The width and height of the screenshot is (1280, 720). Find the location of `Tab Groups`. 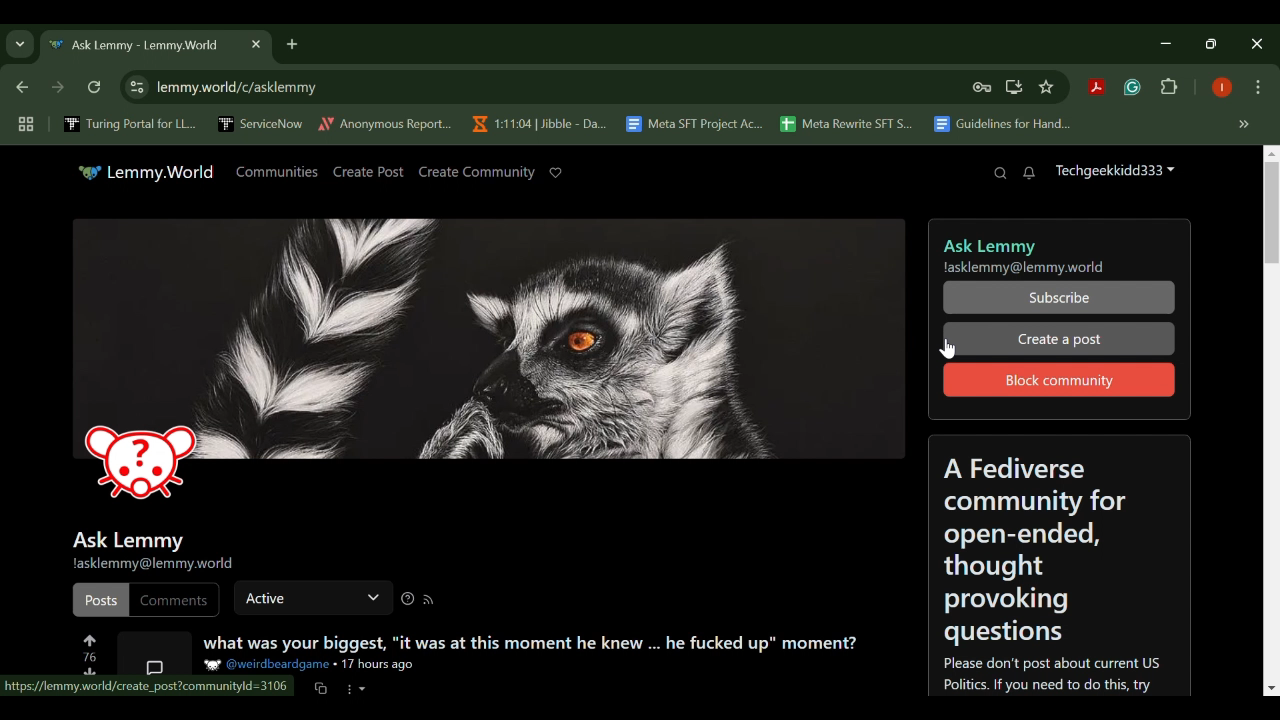

Tab Groups is located at coordinates (23, 125).